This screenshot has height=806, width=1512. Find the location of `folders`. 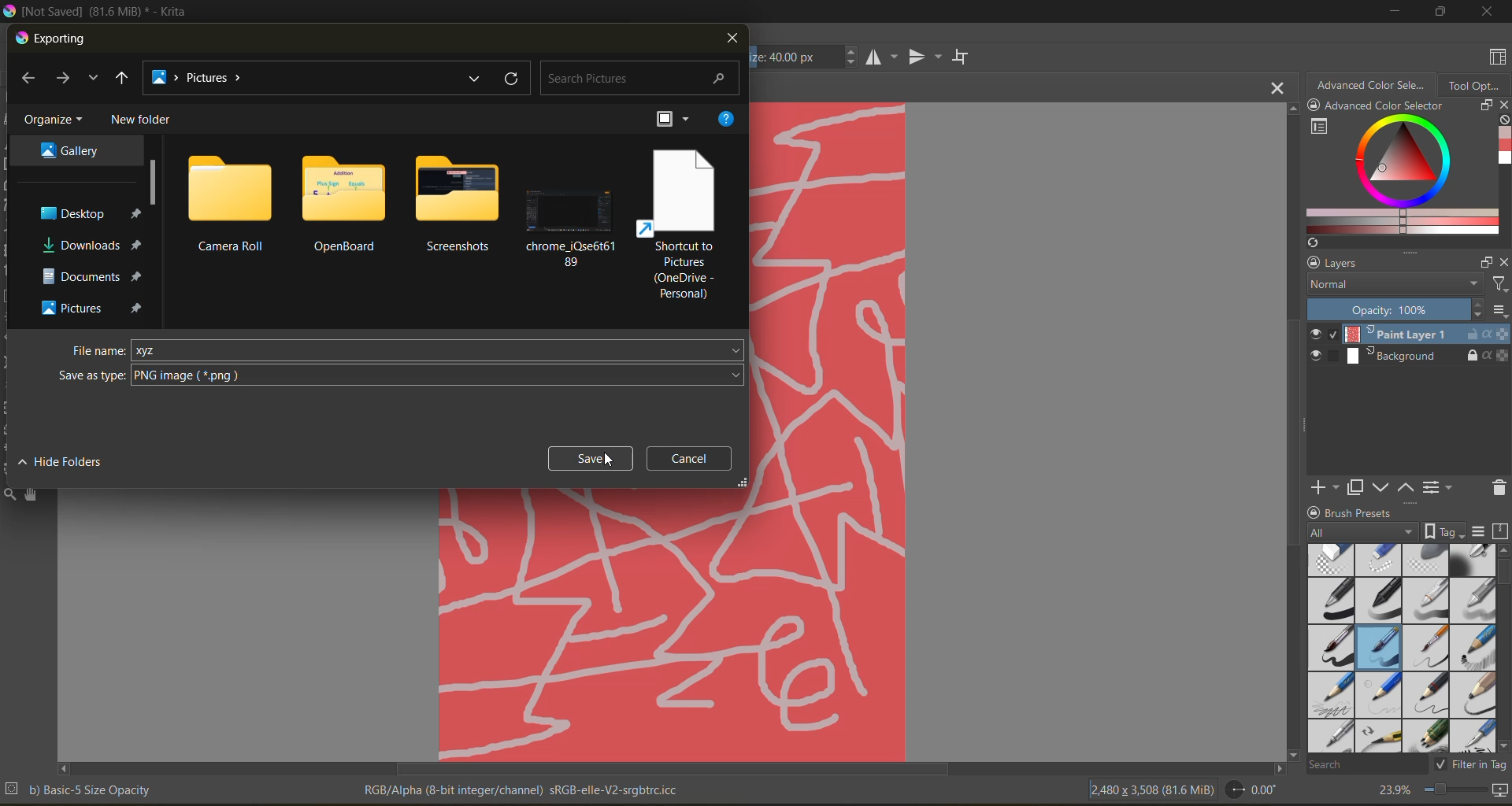

folders is located at coordinates (342, 204).